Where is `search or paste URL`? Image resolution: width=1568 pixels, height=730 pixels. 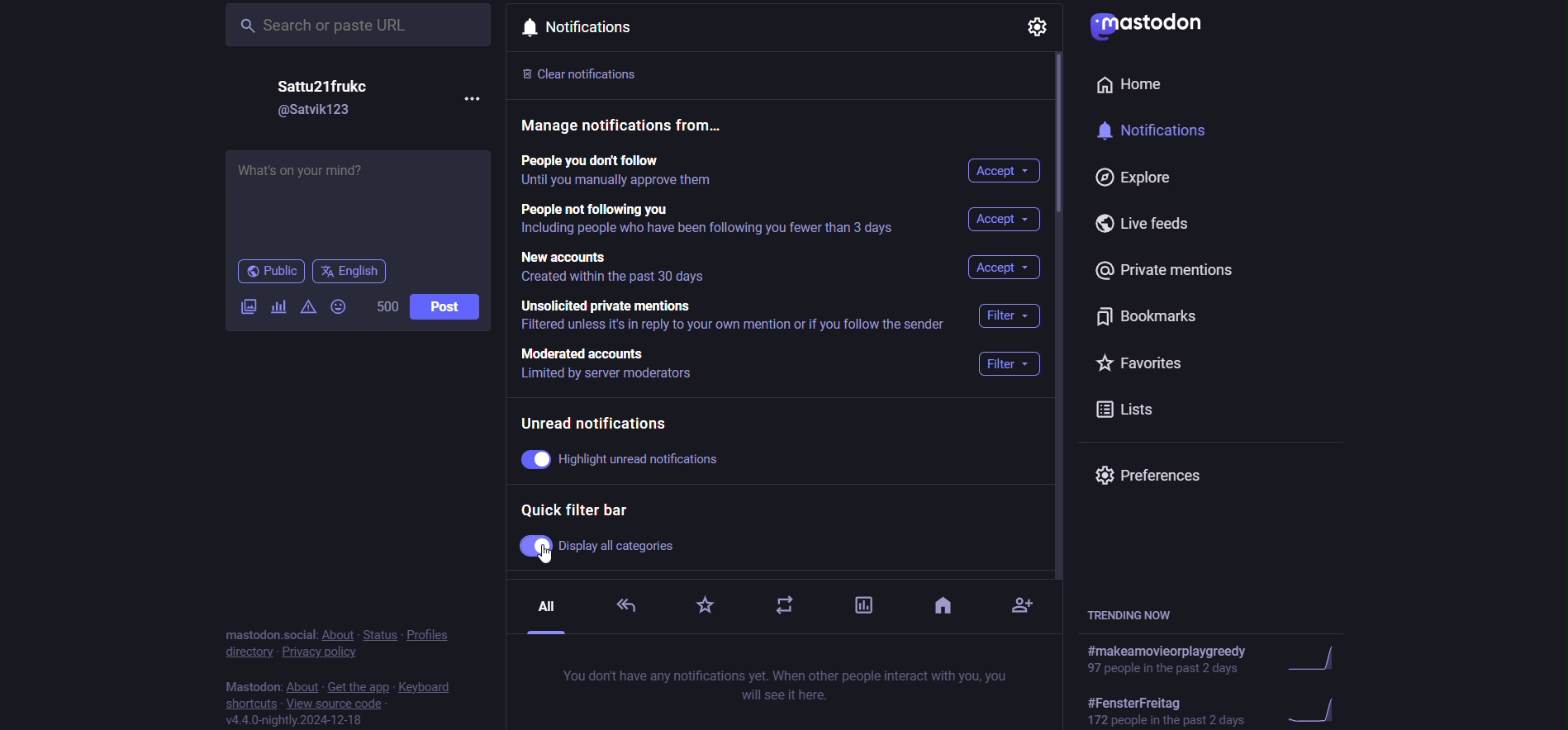
search or paste URL is located at coordinates (354, 26).